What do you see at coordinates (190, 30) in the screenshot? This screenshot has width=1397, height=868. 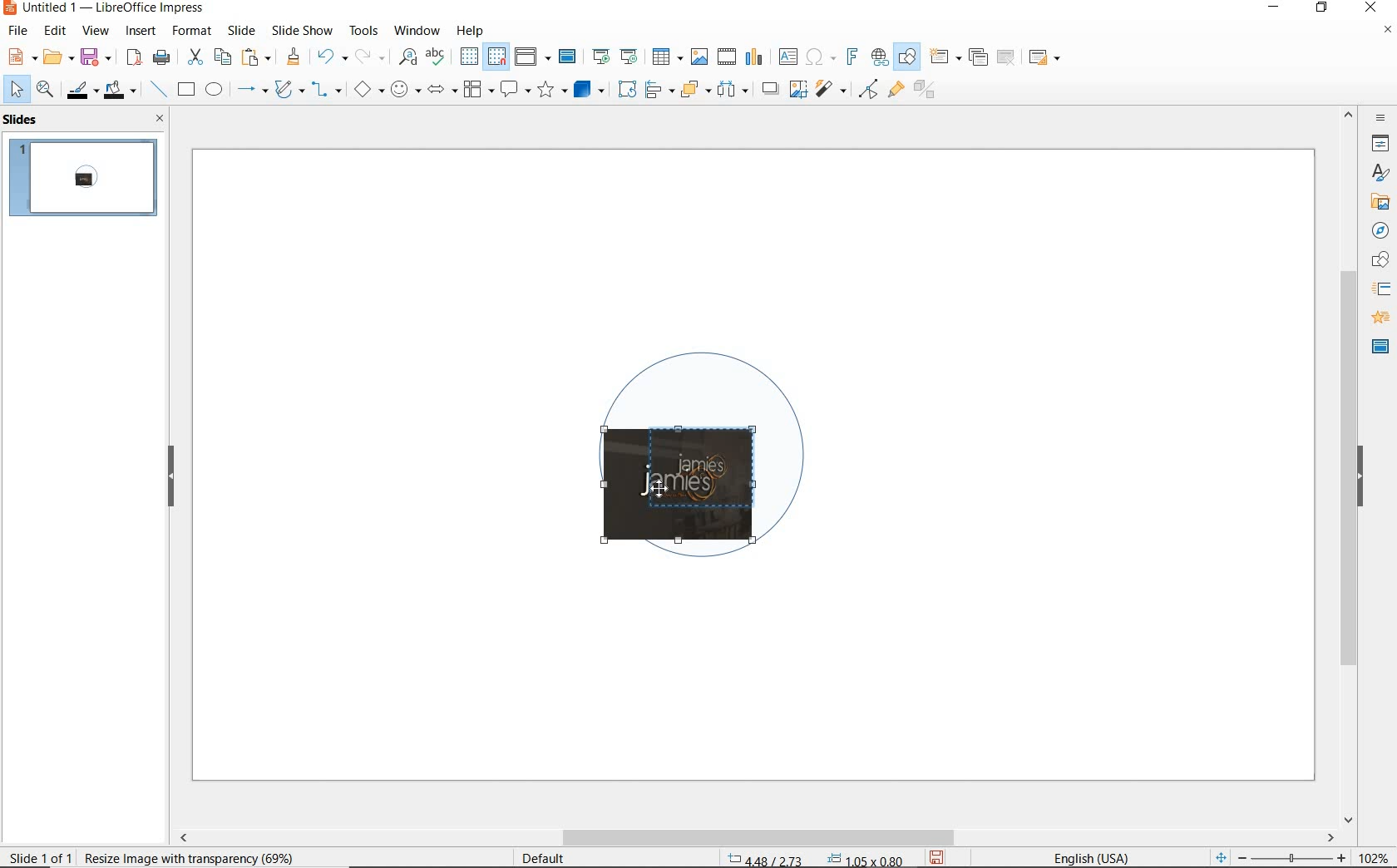 I see `format` at bounding box center [190, 30].